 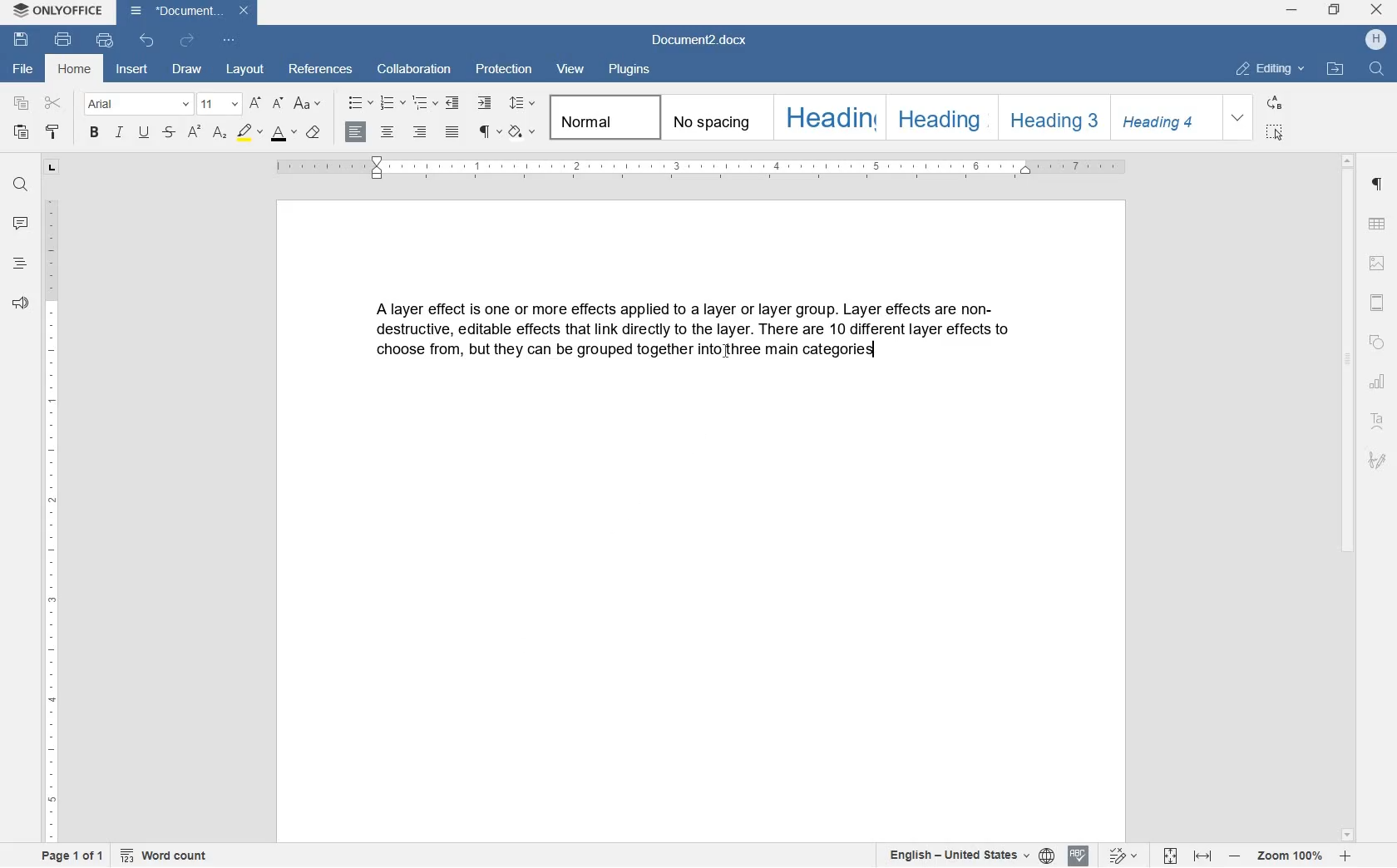 I want to click on spell checking, so click(x=1079, y=855).